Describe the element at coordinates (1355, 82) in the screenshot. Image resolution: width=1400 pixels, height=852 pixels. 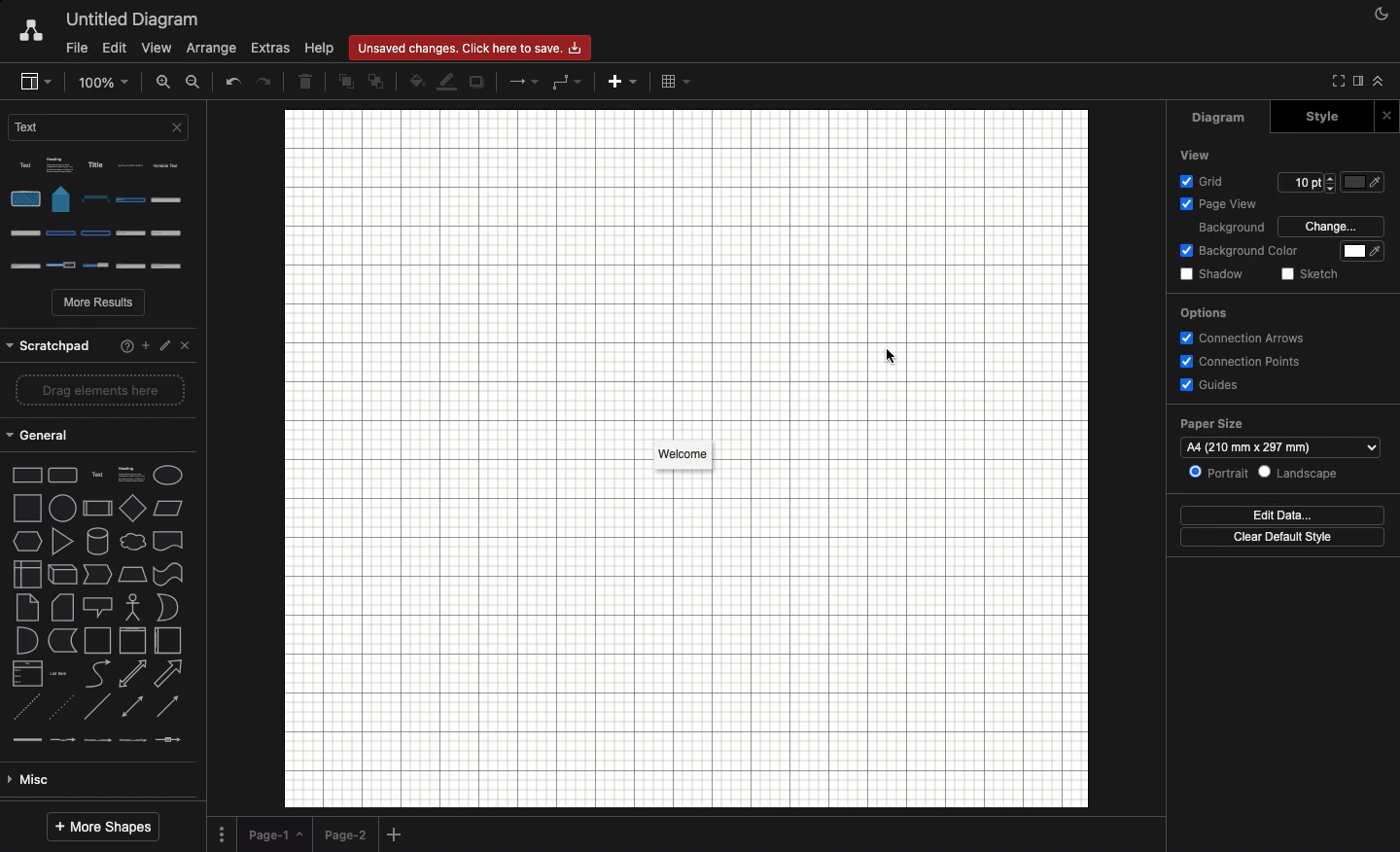
I see `Sidebar` at that location.